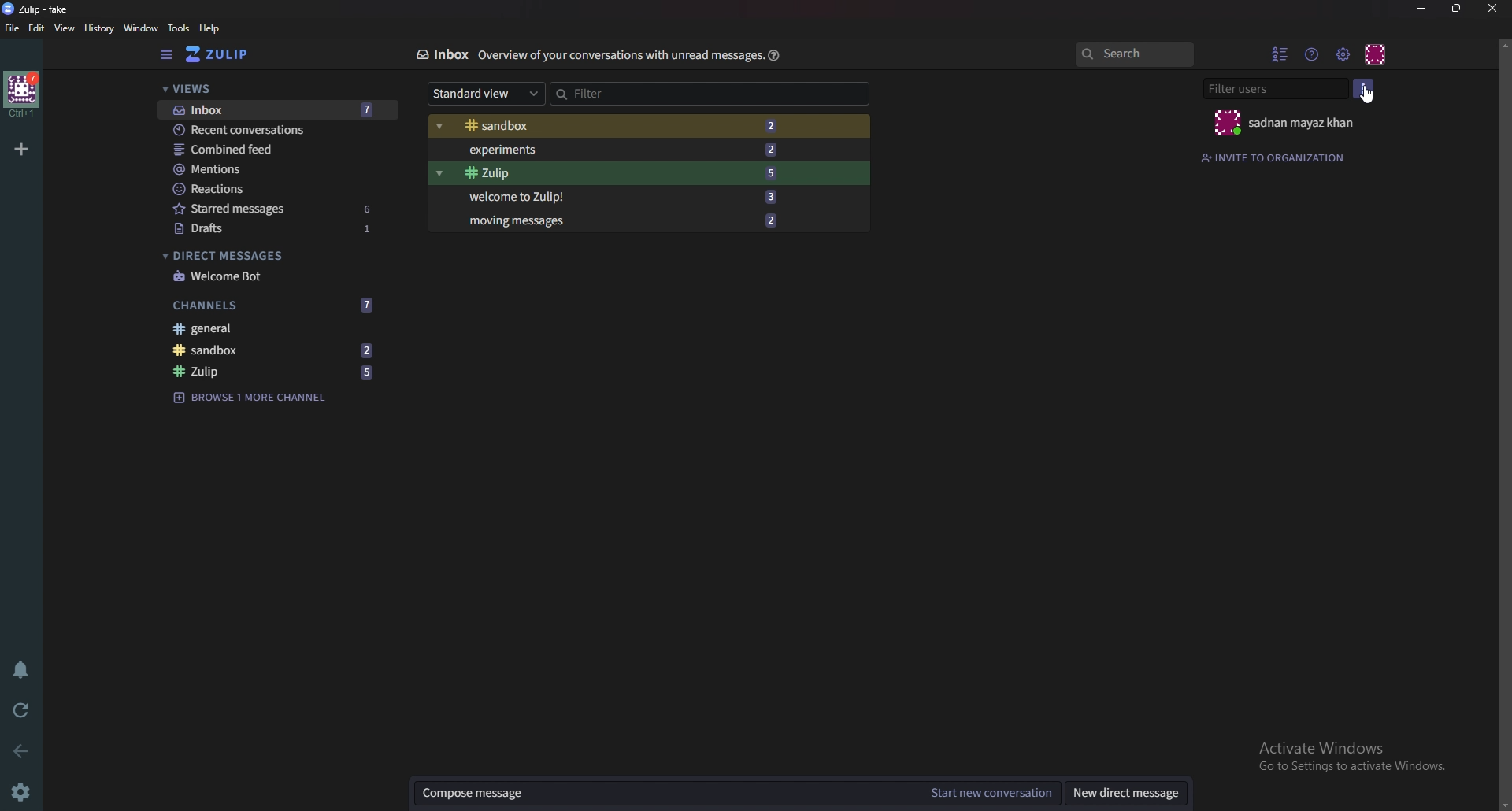 The height and width of the screenshot is (811, 1512). What do you see at coordinates (179, 29) in the screenshot?
I see `Tools` at bounding box center [179, 29].